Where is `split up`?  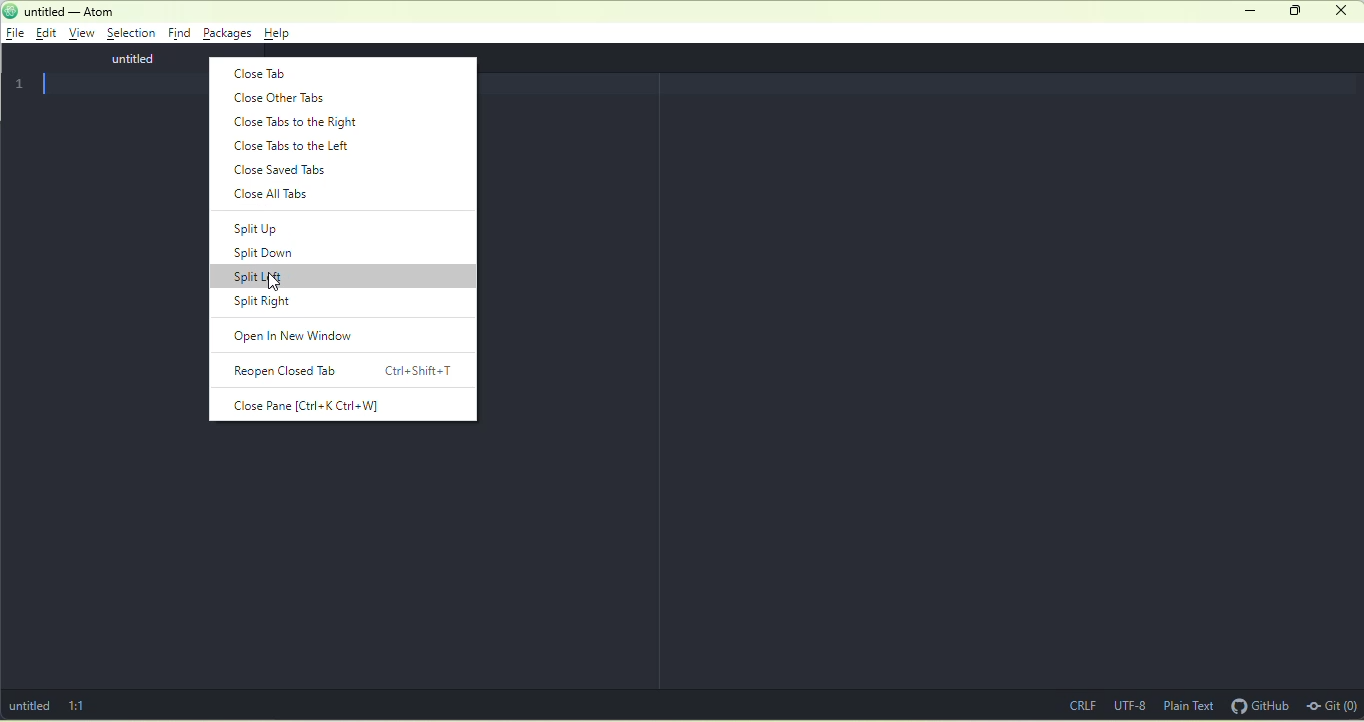 split up is located at coordinates (260, 227).